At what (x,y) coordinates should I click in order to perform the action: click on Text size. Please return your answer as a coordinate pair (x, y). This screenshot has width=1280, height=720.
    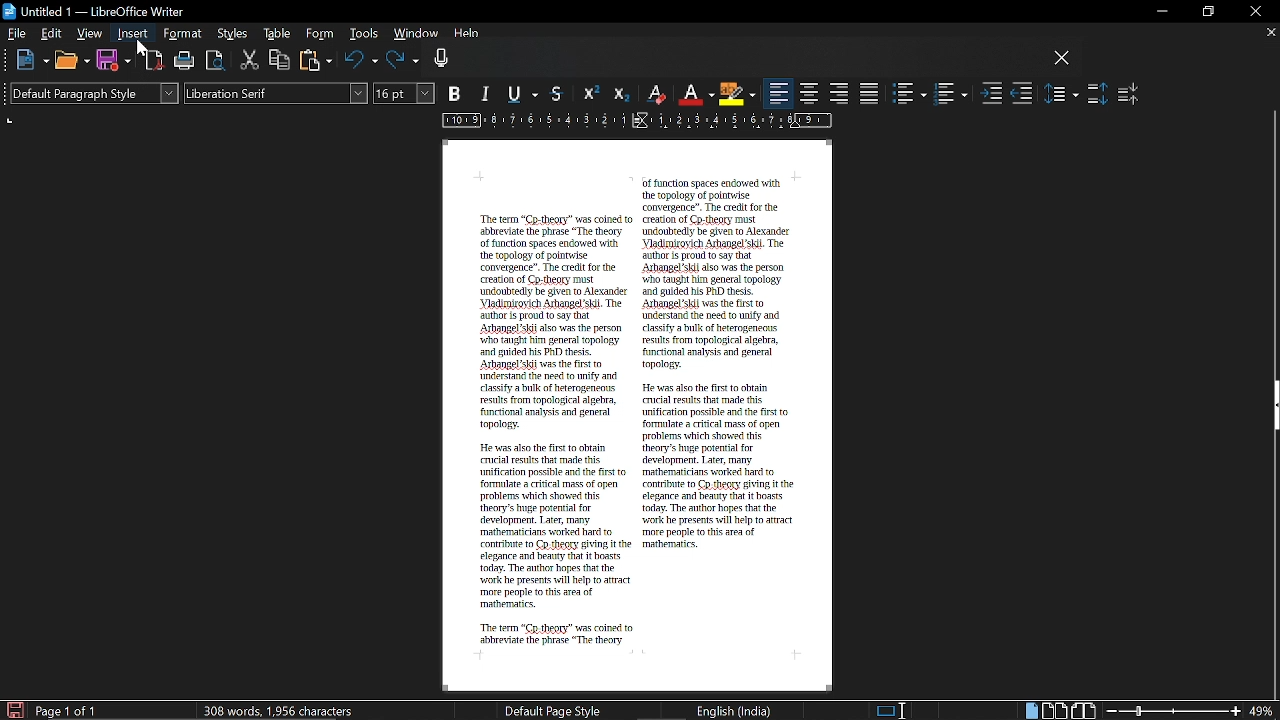
    Looking at the image, I should click on (405, 93).